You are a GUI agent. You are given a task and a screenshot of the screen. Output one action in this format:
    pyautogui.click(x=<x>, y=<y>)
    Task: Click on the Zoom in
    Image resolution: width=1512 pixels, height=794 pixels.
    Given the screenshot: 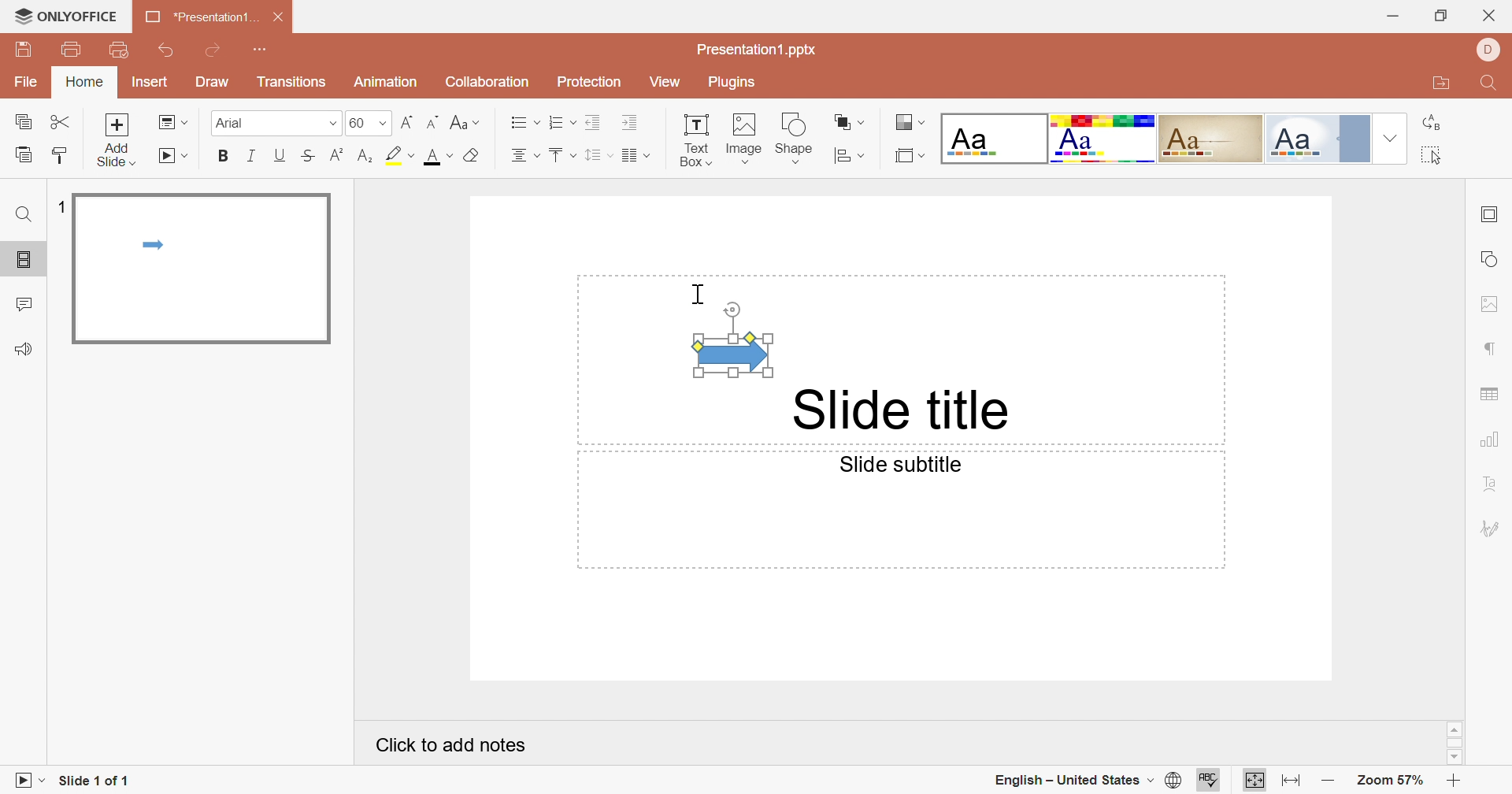 What is the action you would take?
    pyautogui.click(x=1455, y=782)
    